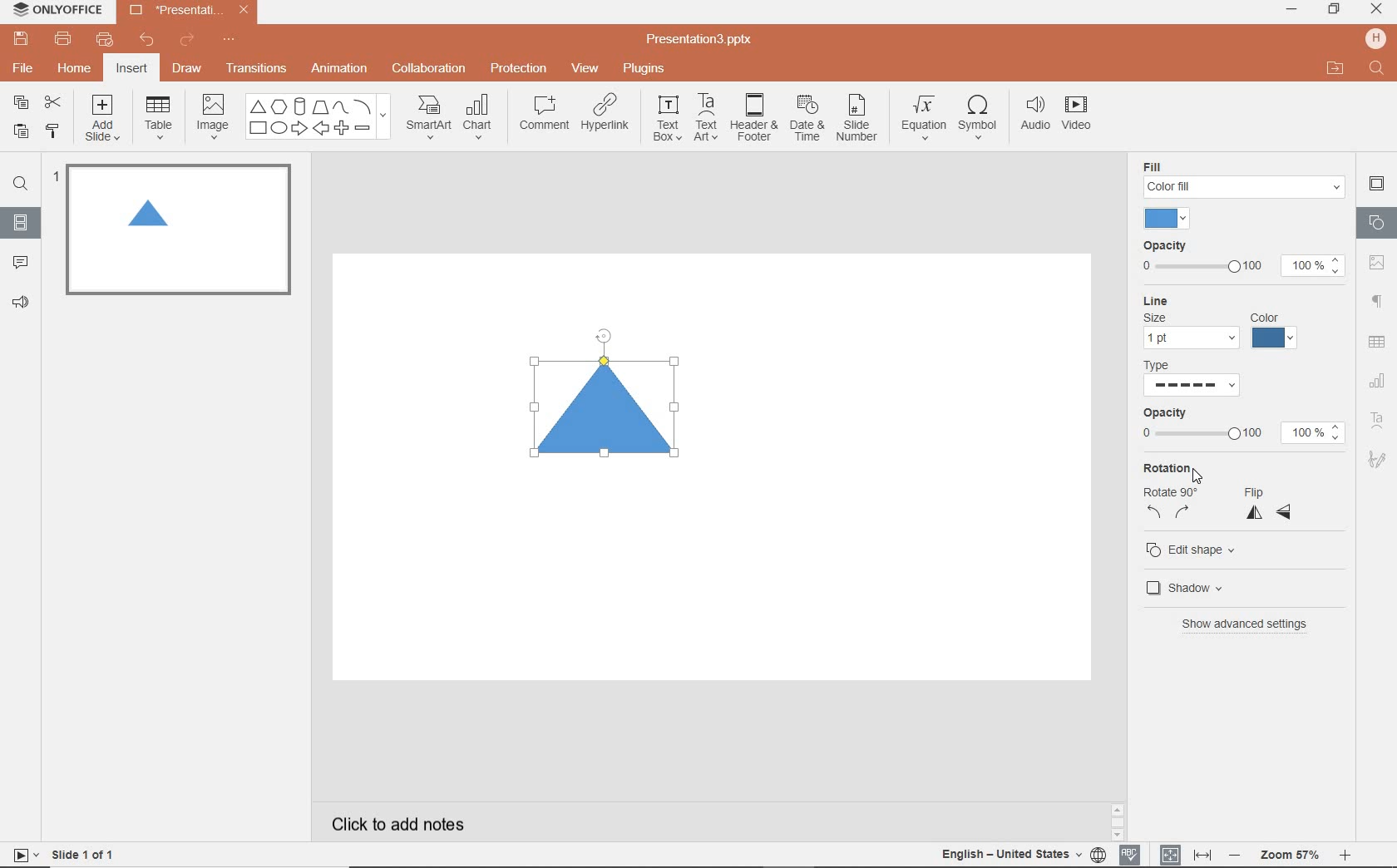  What do you see at coordinates (666, 118) in the screenshot?
I see `TEXT BOX` at bounding box center [666, 118].